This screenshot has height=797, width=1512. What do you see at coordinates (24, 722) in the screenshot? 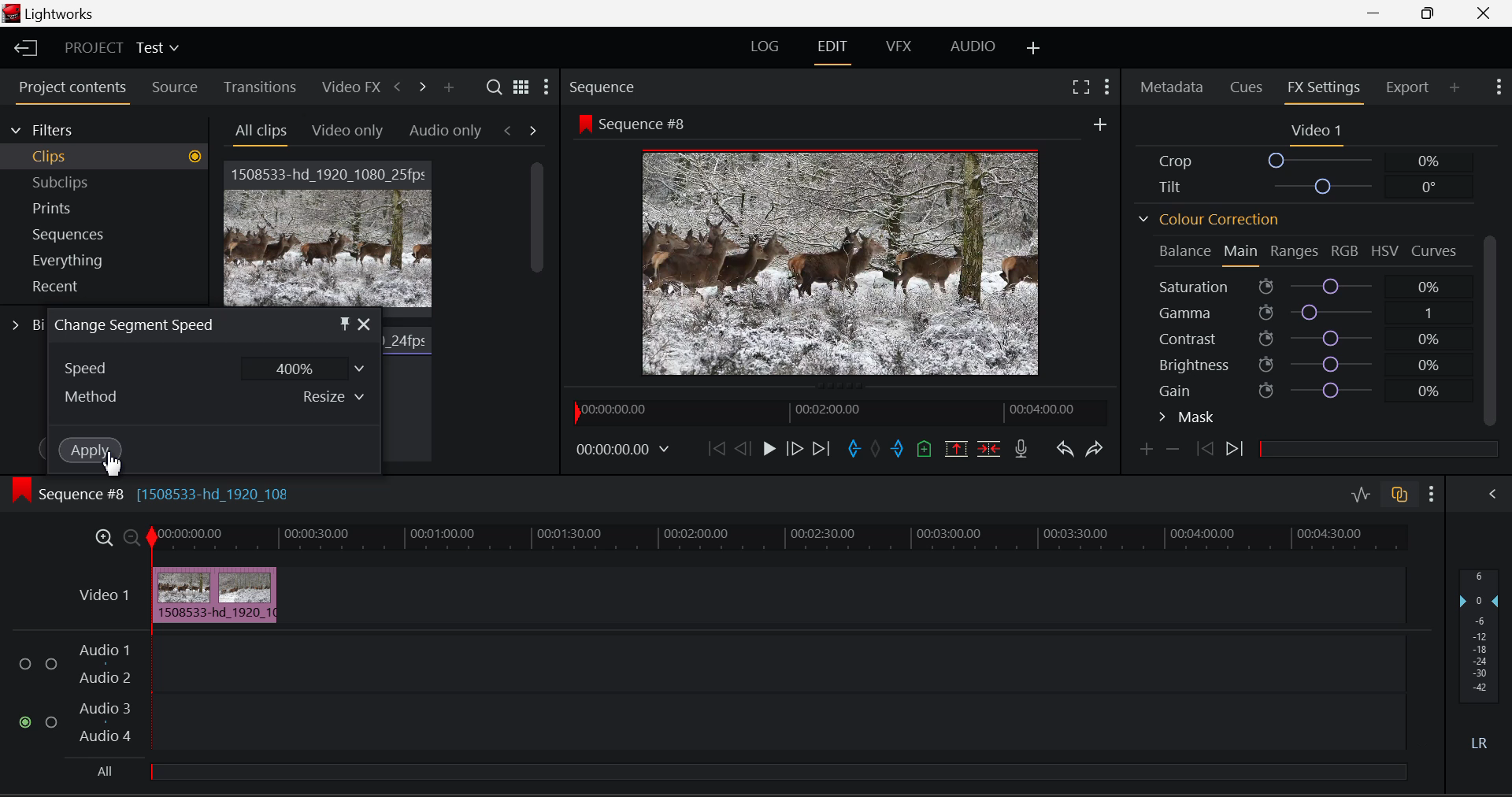
I see `Audio Input checkbox` at bounding box center [24, 722].